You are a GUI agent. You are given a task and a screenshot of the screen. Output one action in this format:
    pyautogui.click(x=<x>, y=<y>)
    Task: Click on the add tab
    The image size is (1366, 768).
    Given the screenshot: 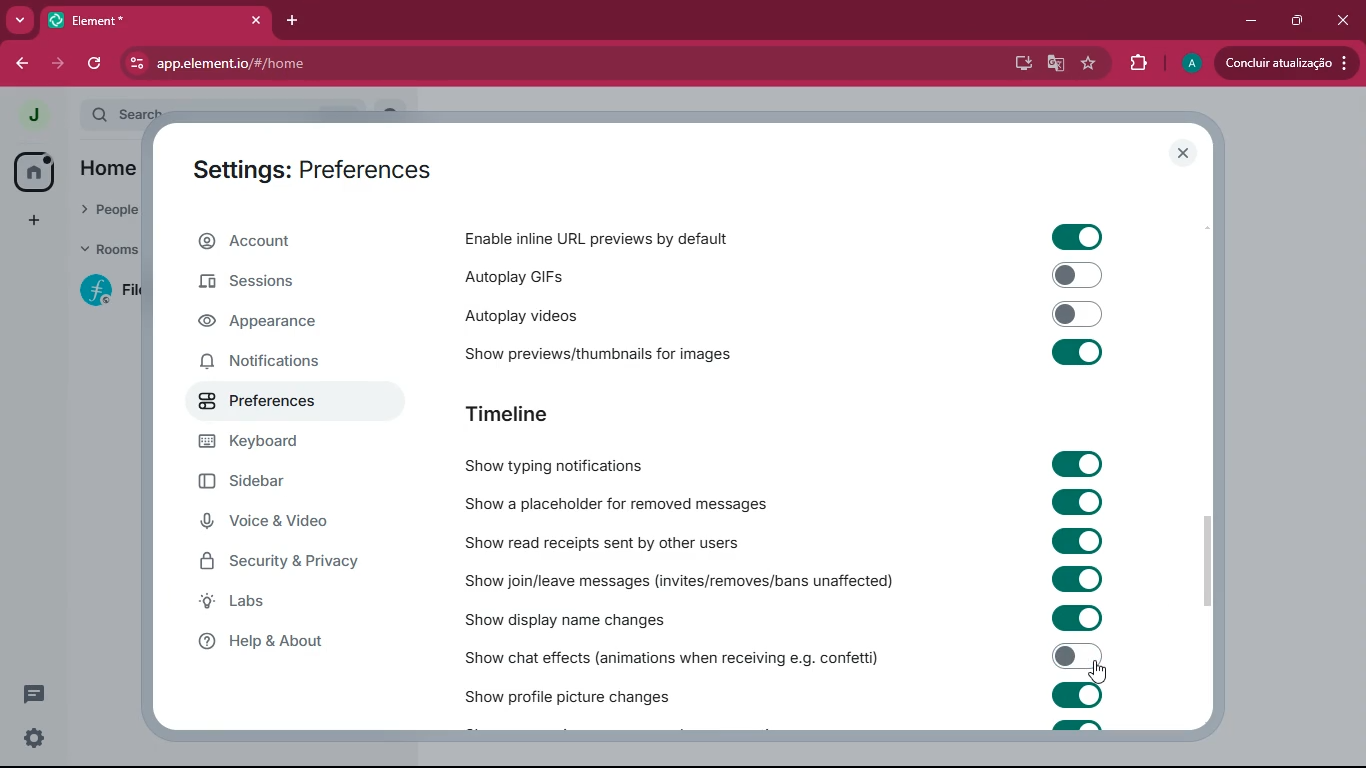 What is the action you would take?
    pyautogui.click(x=294, y=20)
    